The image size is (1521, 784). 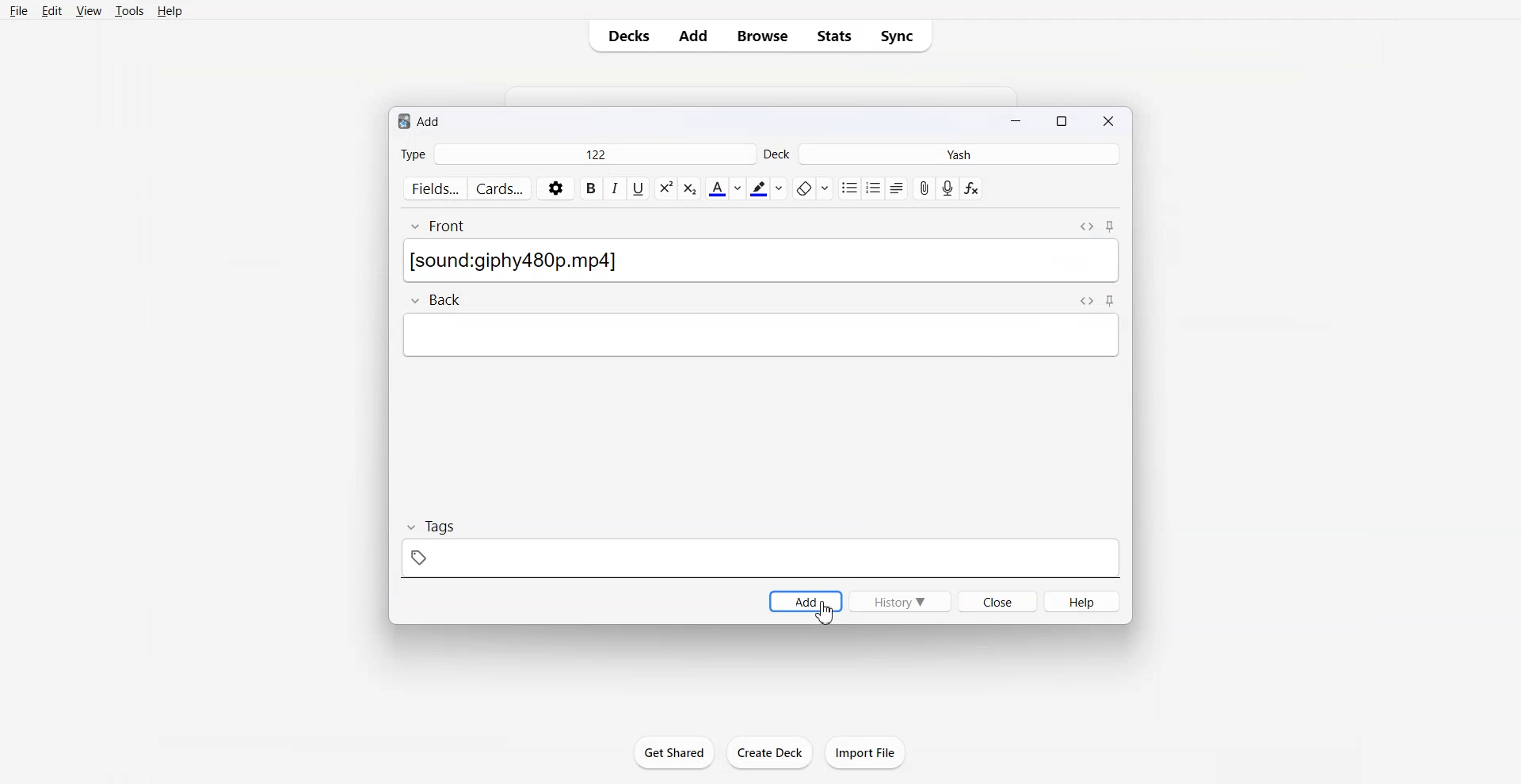 What do you see at coordinates (813, 188) in the screenshot?
I see `Remove format` at bounding box center [813, 188].